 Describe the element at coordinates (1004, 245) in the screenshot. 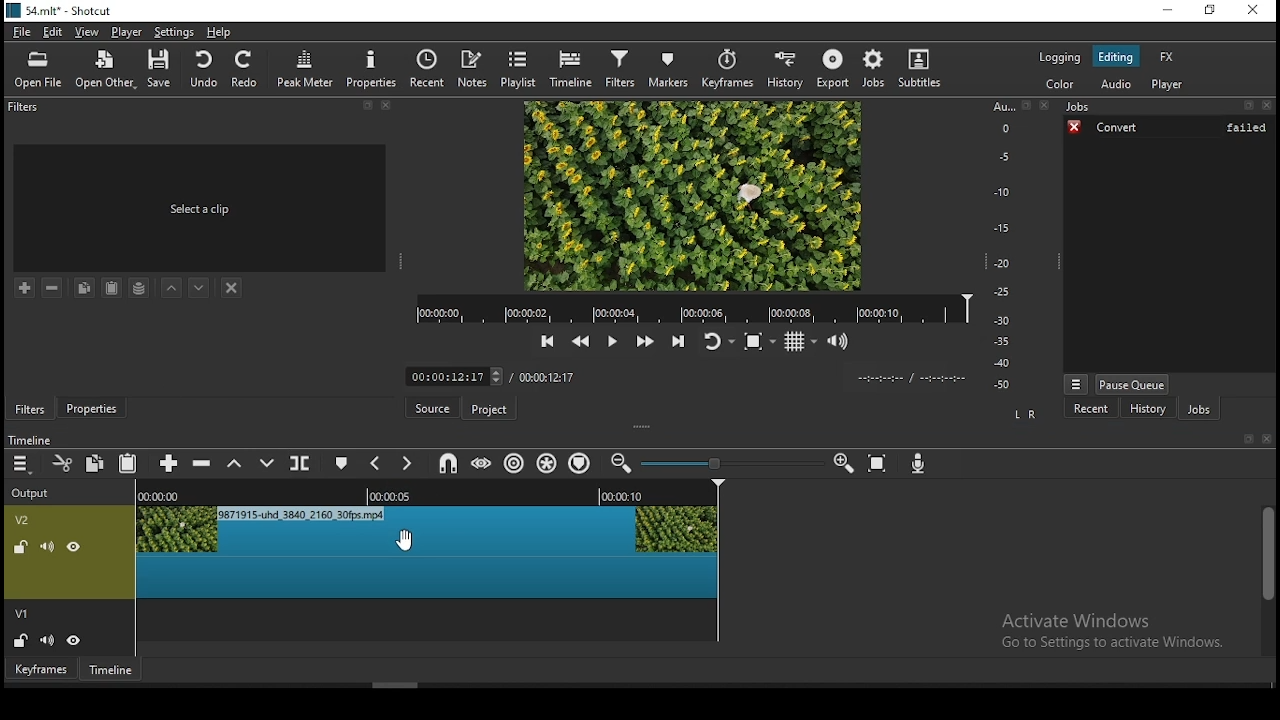

I see `scale` at that location.